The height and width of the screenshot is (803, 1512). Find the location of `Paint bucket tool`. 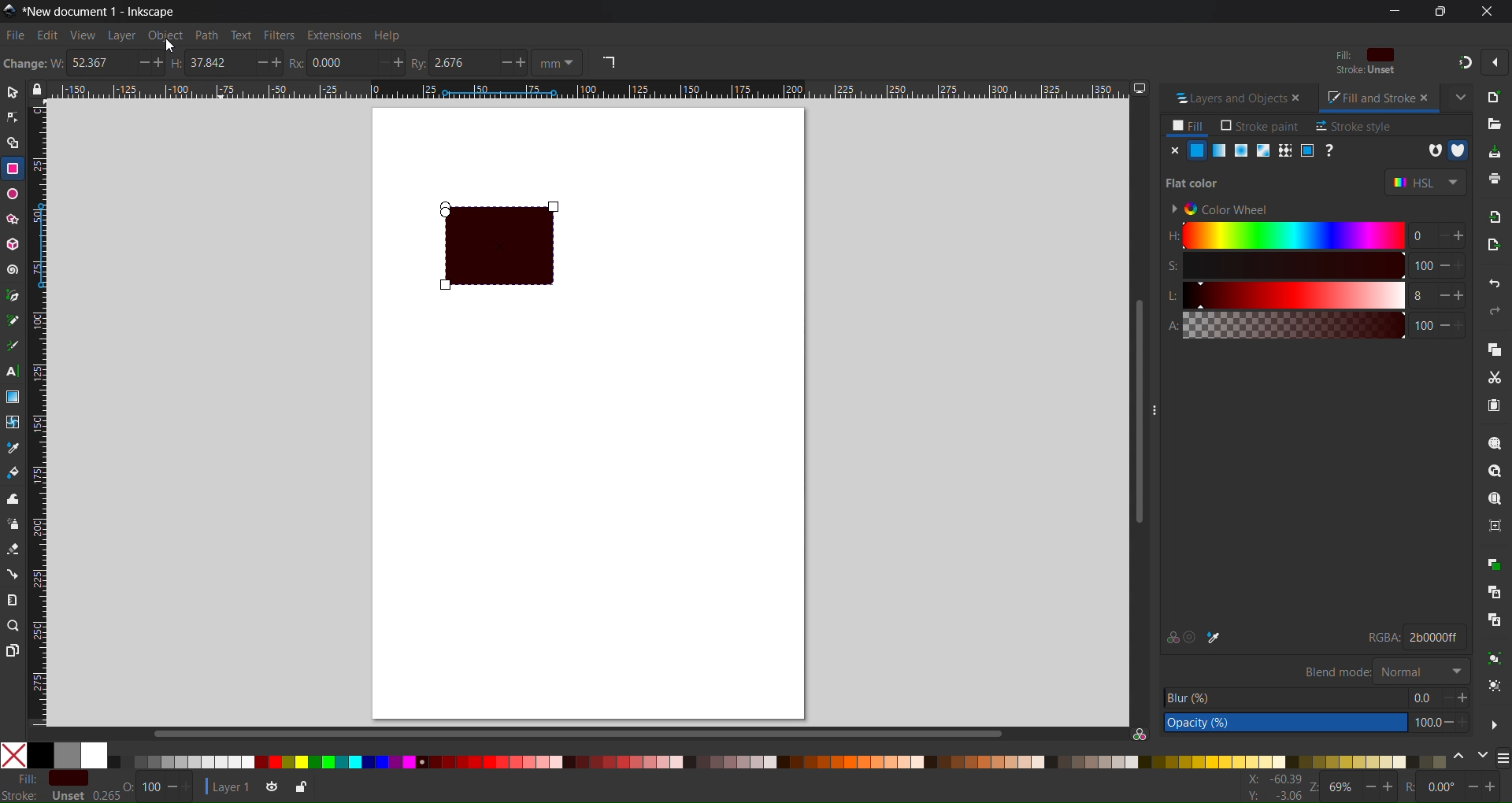

Paint bucket tool is located at coordinates (13, 471).